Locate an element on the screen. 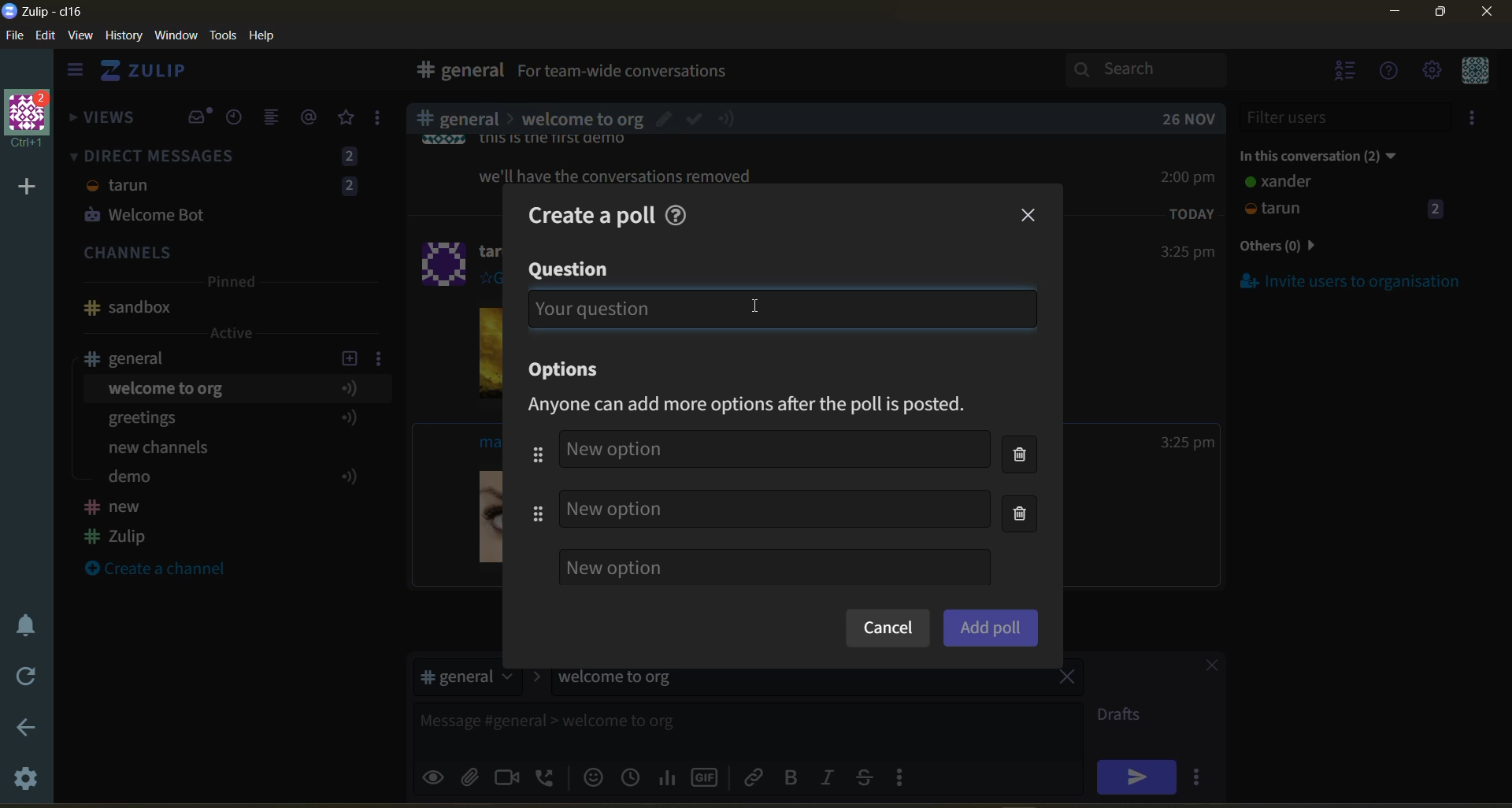 The image size is (1512, 808). send options is located at coordinates (1201, 776).